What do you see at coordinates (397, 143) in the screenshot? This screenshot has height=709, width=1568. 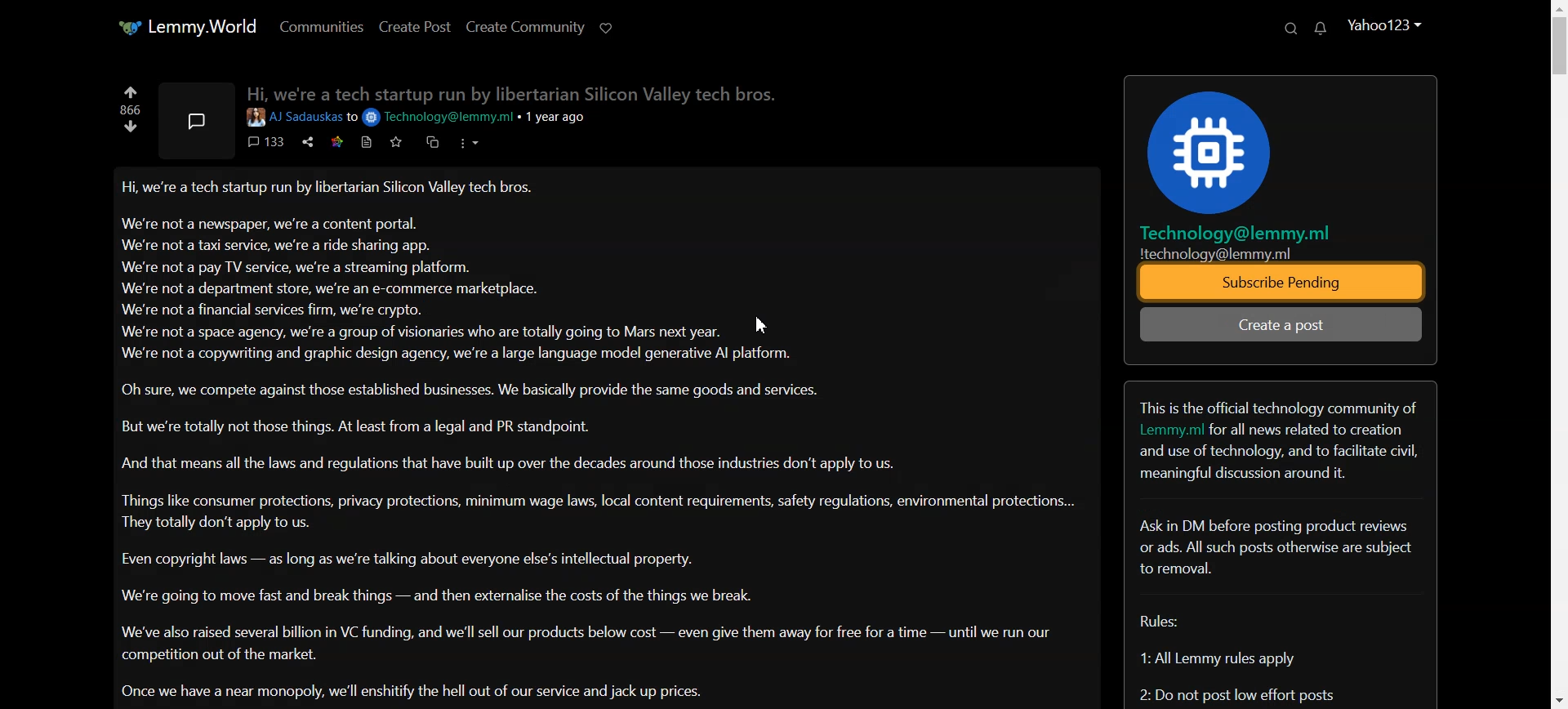 I see `Favorite` at bounding box center [397, 143].